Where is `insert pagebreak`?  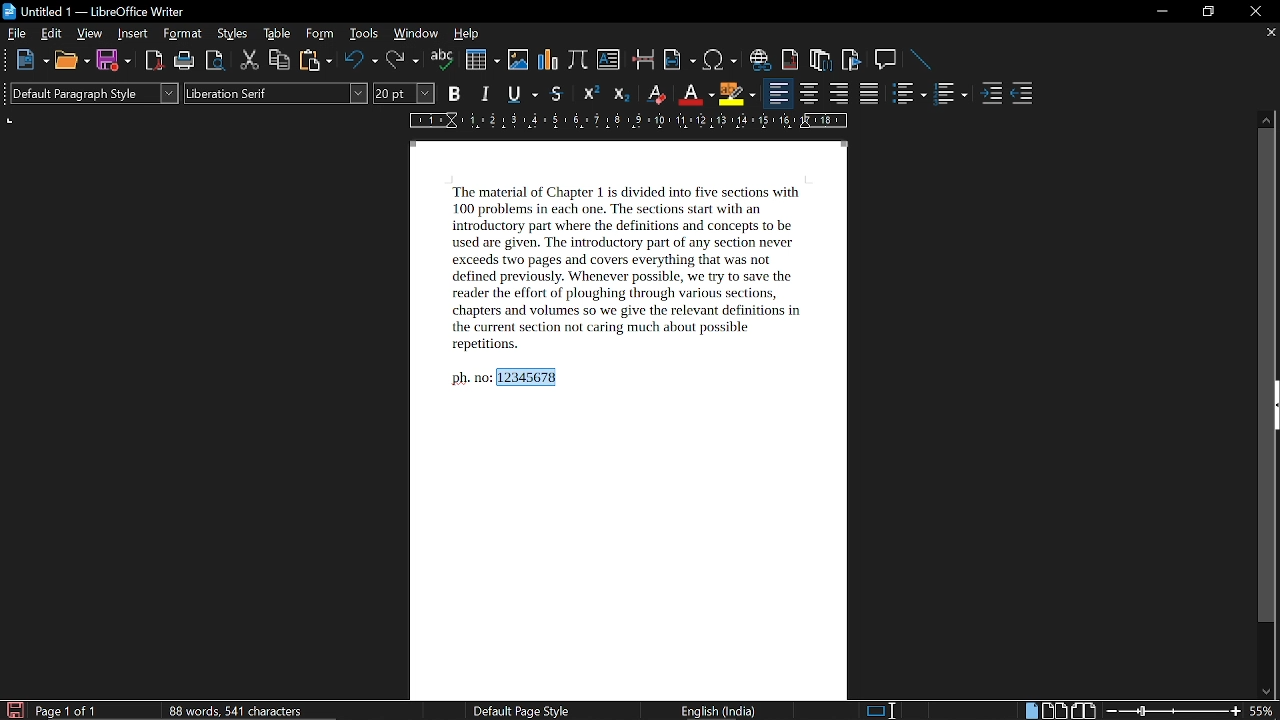
insert pagebreak is located at coordinates (642, 59).